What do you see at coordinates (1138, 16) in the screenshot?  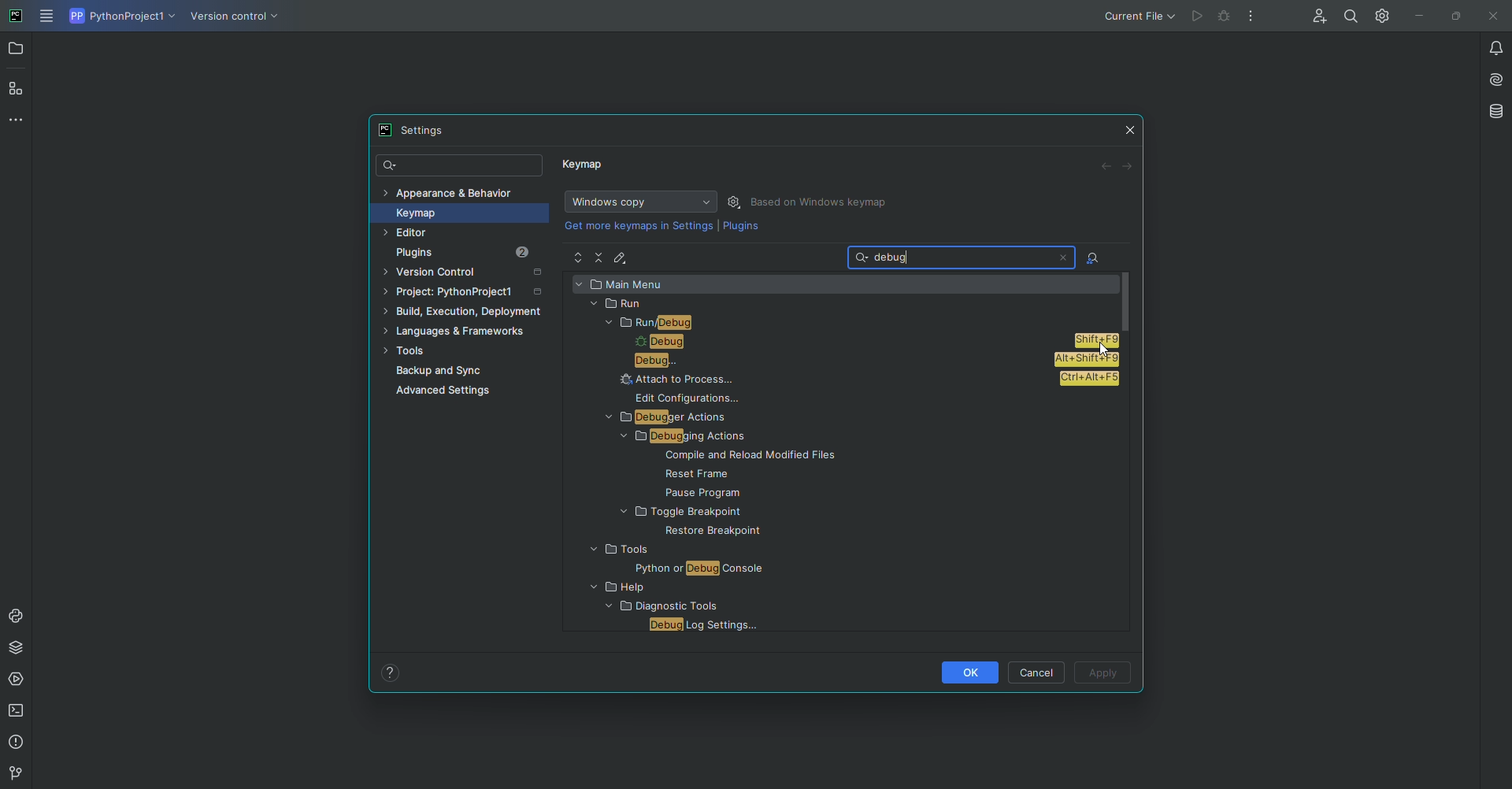 I see `Current file` at bounding box center [1138, 16].